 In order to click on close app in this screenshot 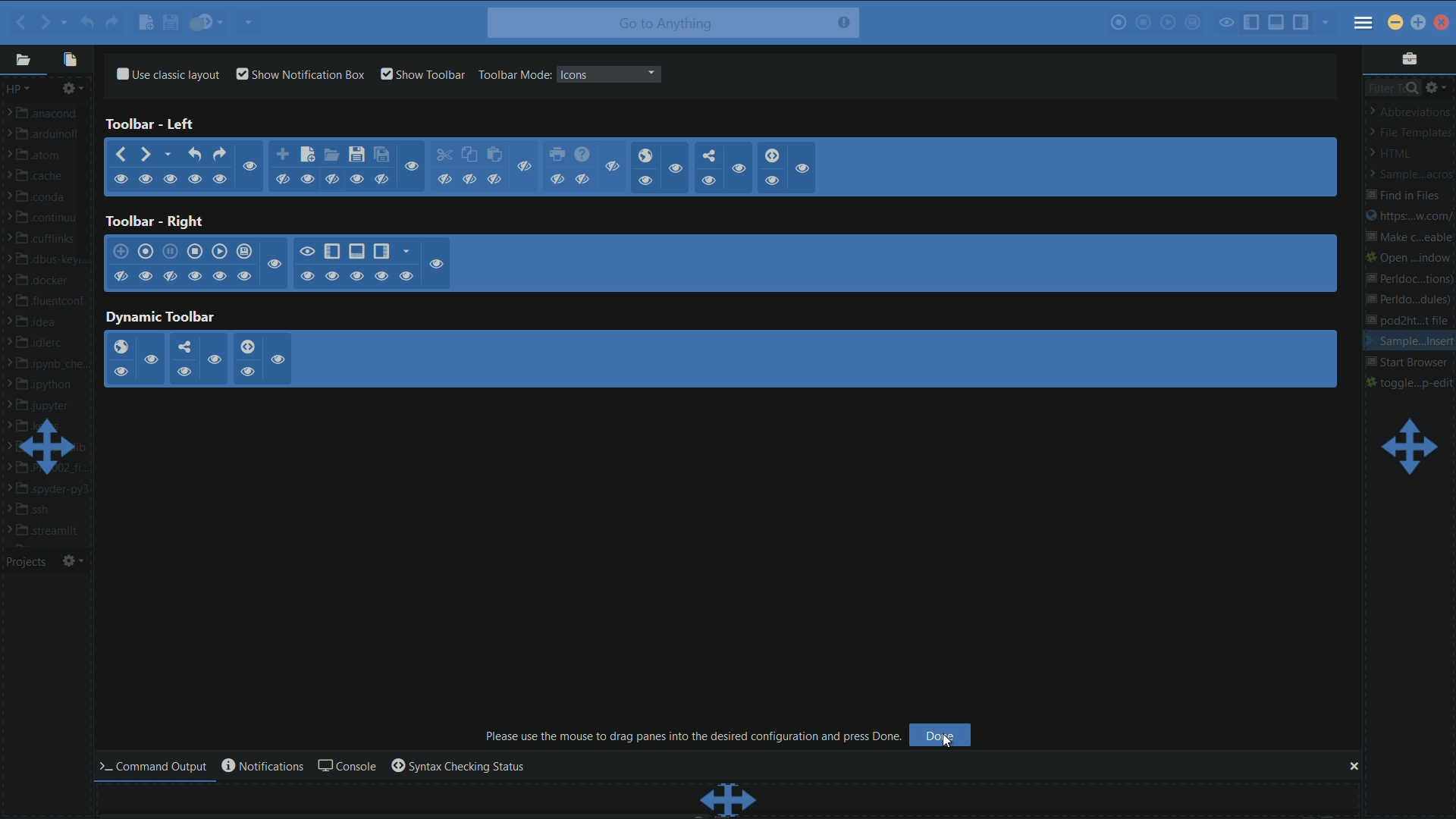, I will do `click(1441, 23)`.